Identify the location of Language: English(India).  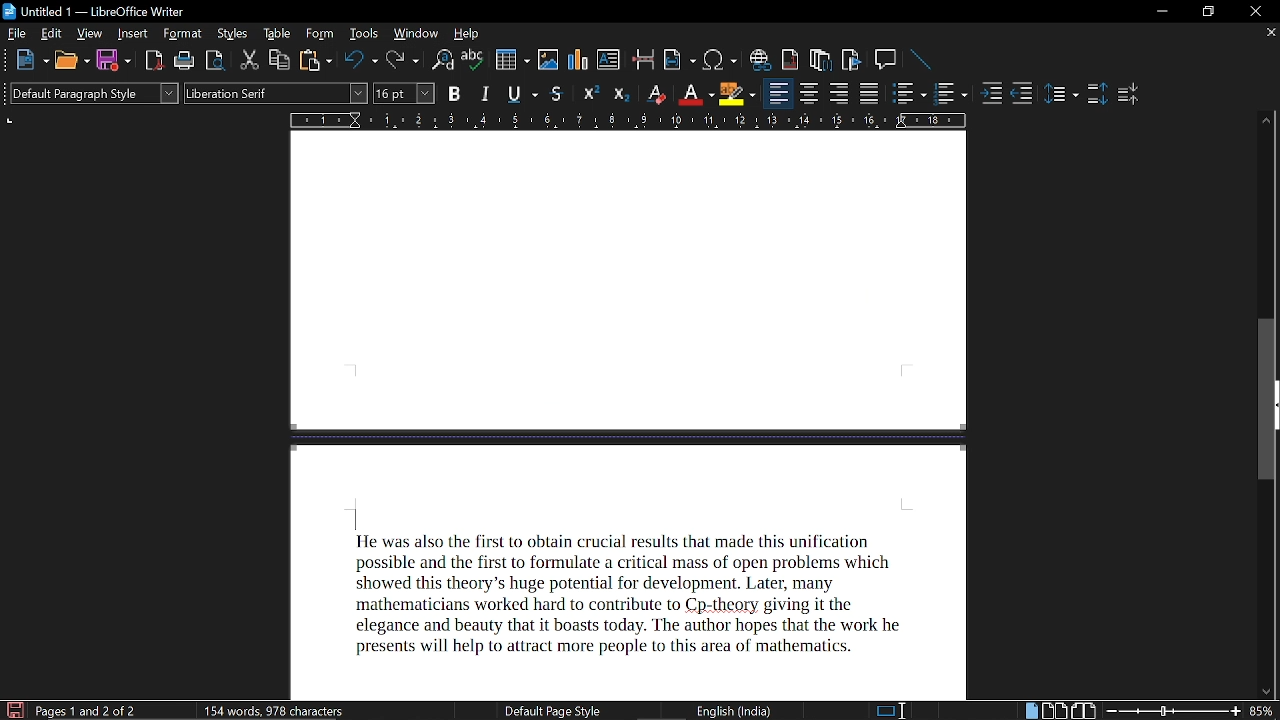
(719, 708).